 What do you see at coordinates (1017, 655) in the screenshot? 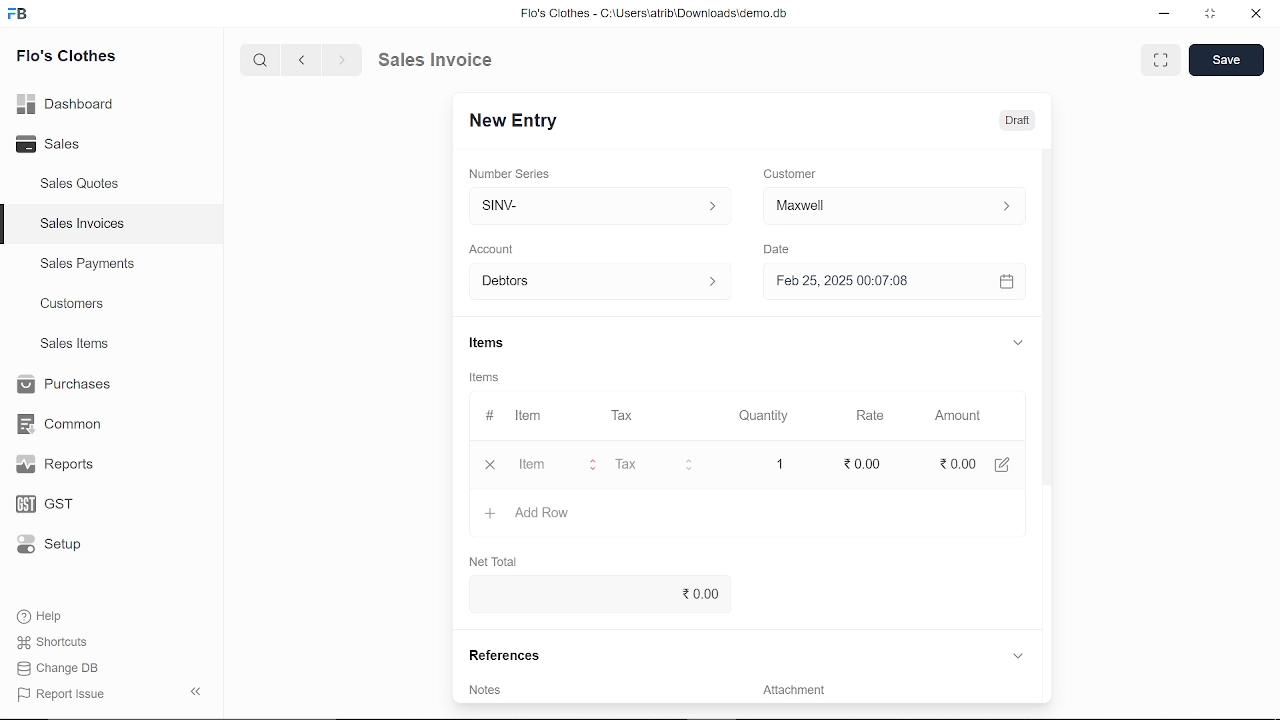
I see `expand reference` at bounding box center [1017, 655].